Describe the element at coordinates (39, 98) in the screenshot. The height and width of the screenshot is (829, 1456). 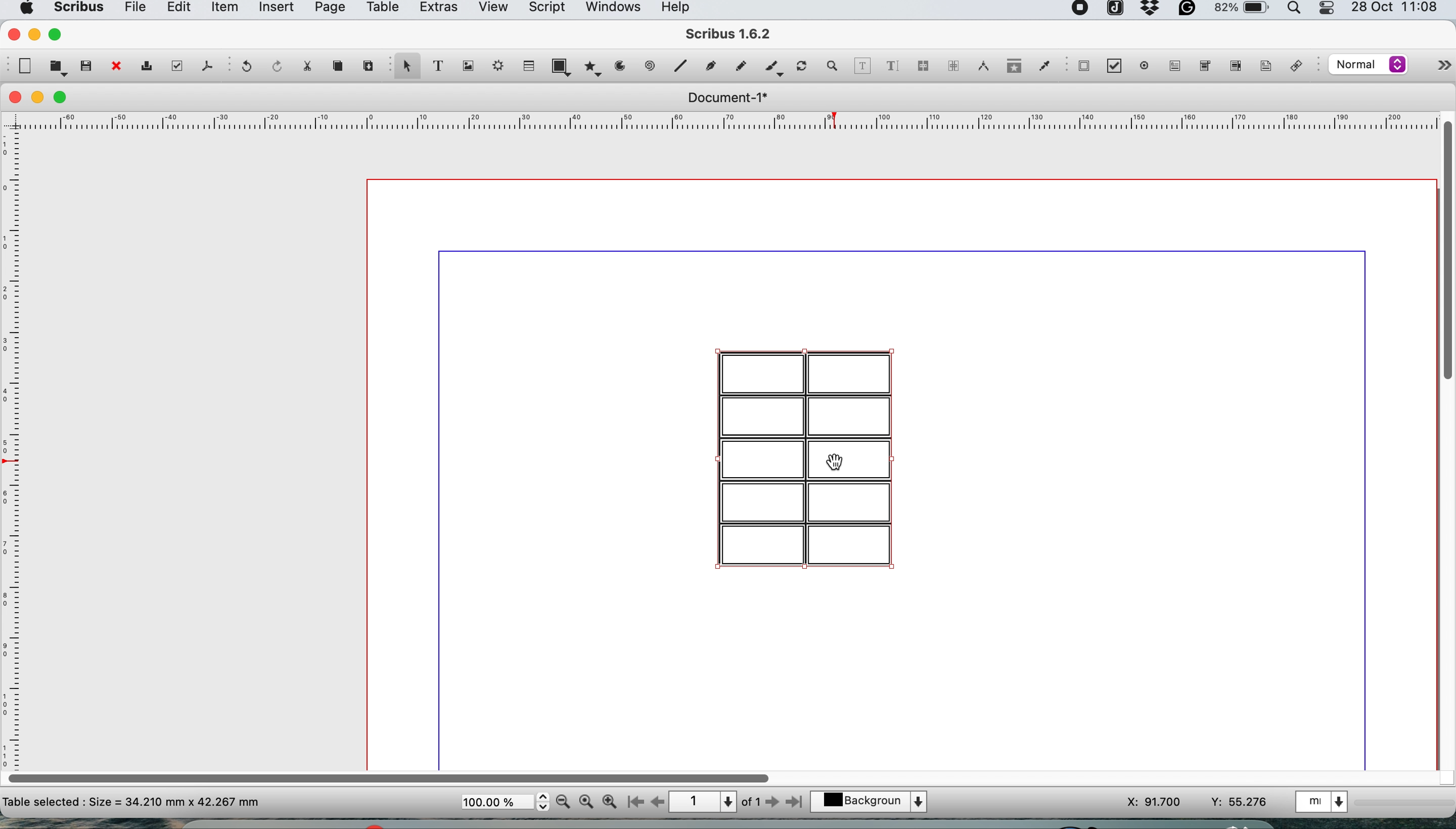
I see `minimise` at that location.